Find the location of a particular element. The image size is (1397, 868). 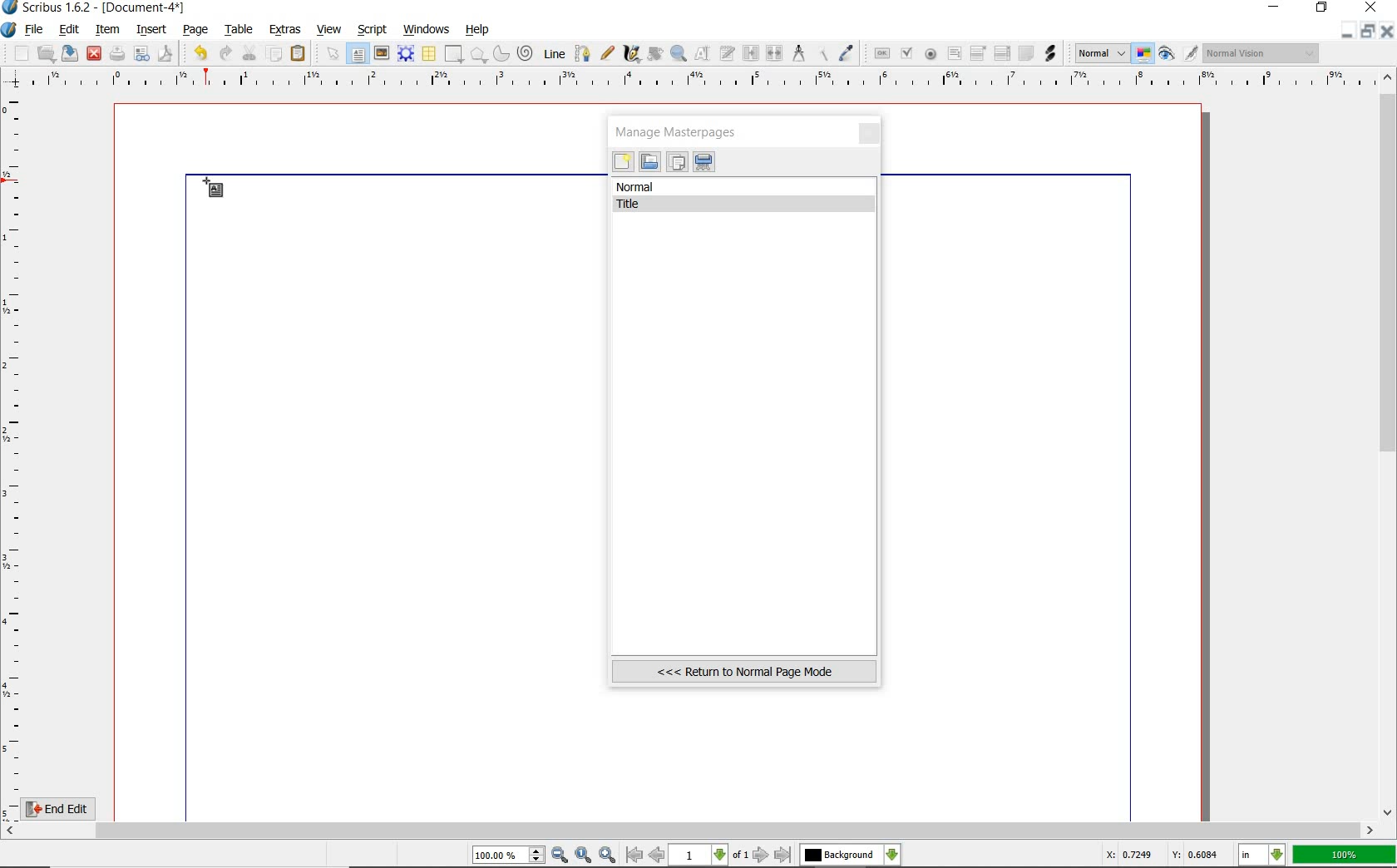

1 is located at coordinates (699, 856).